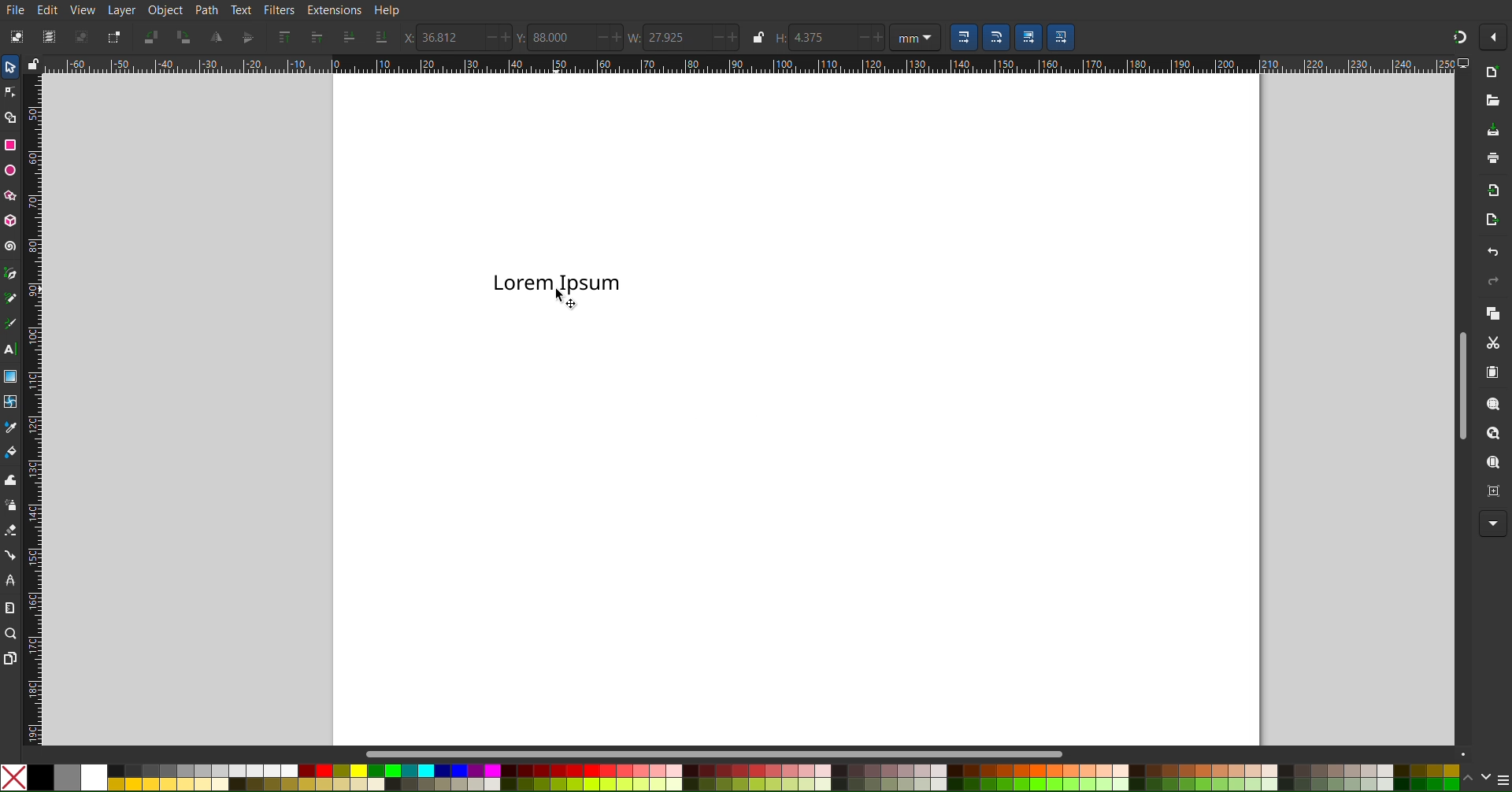 This screenshot has height=792, width=1512. Describe the element at coordinates (995, 37) in the screenshot. I see `Scaling Objects settings` at that location.